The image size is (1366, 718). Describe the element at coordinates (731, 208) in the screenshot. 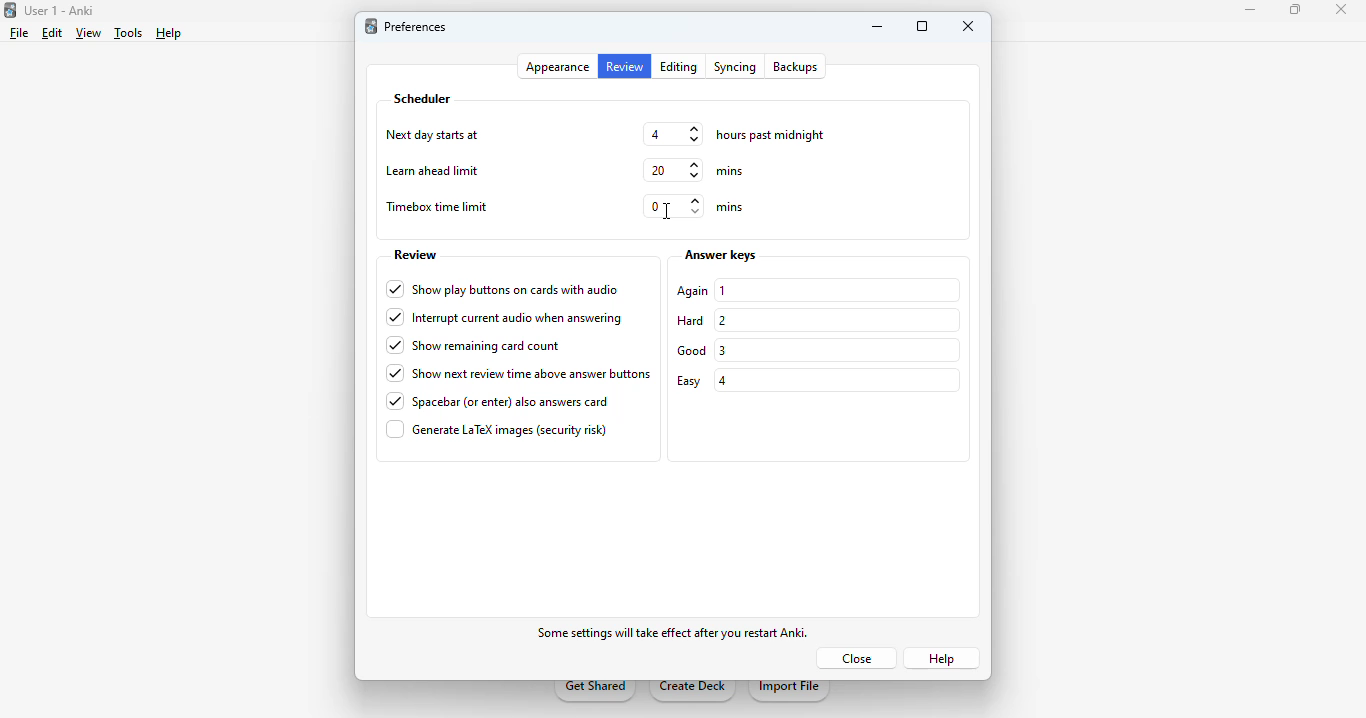

I see `mins` at that location.